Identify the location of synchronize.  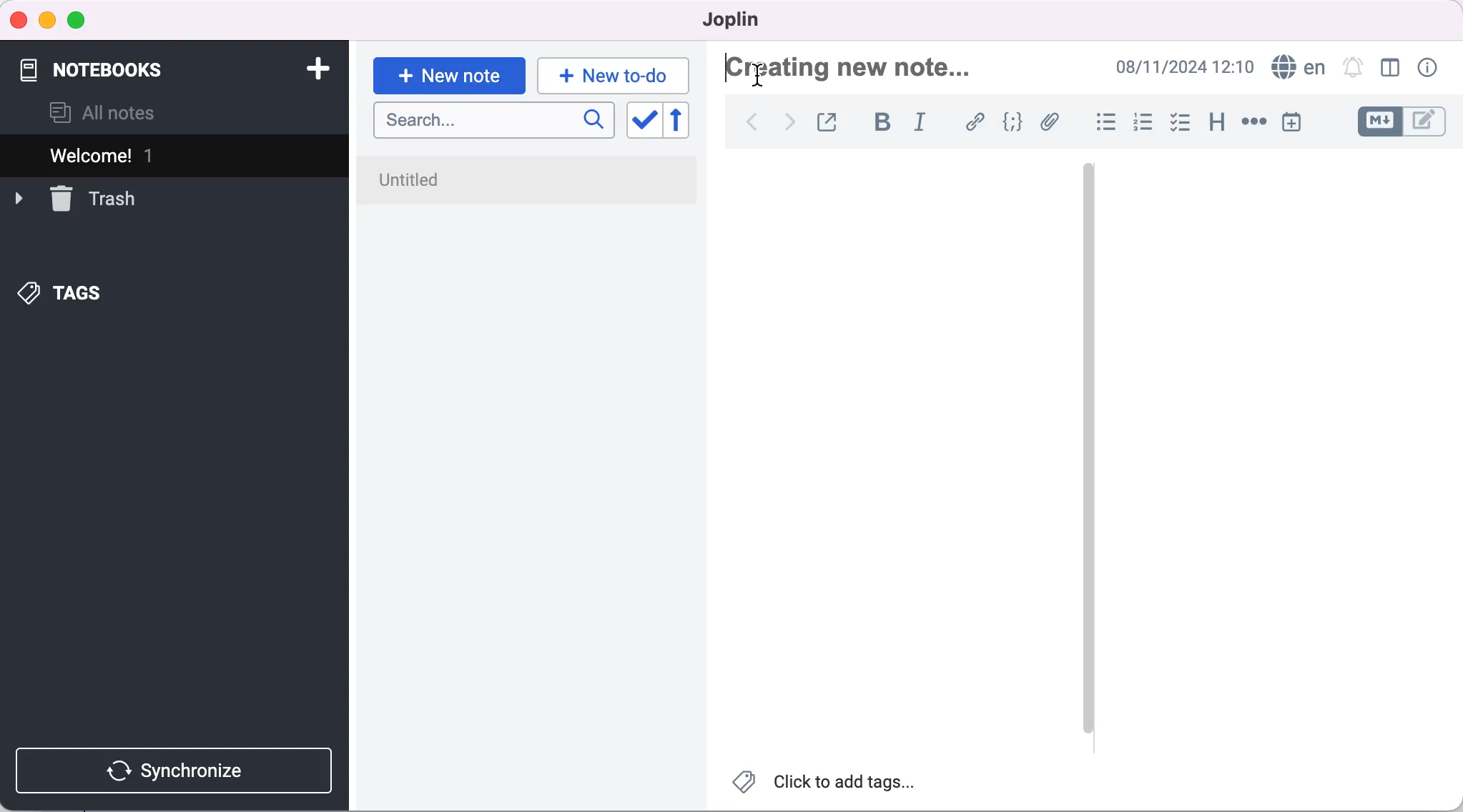
(179, 770).